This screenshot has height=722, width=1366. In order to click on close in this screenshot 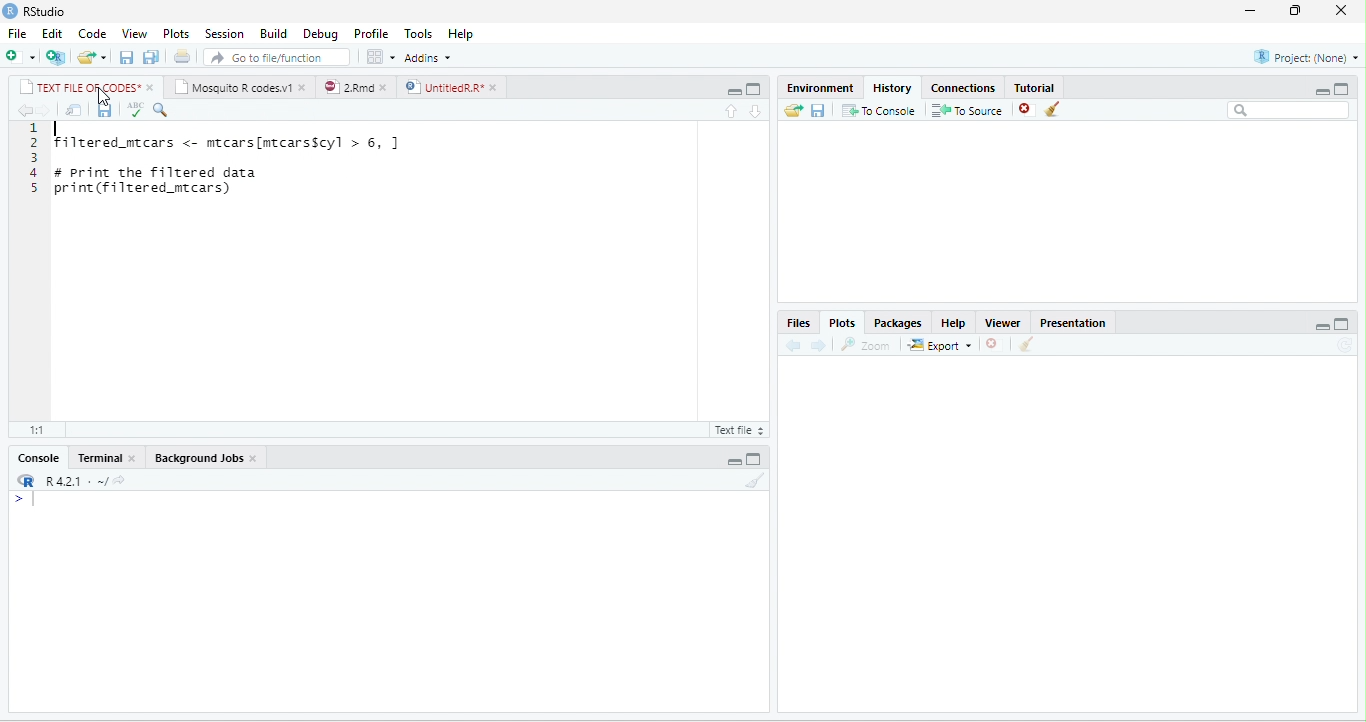, I will do `click(385, 88)`.